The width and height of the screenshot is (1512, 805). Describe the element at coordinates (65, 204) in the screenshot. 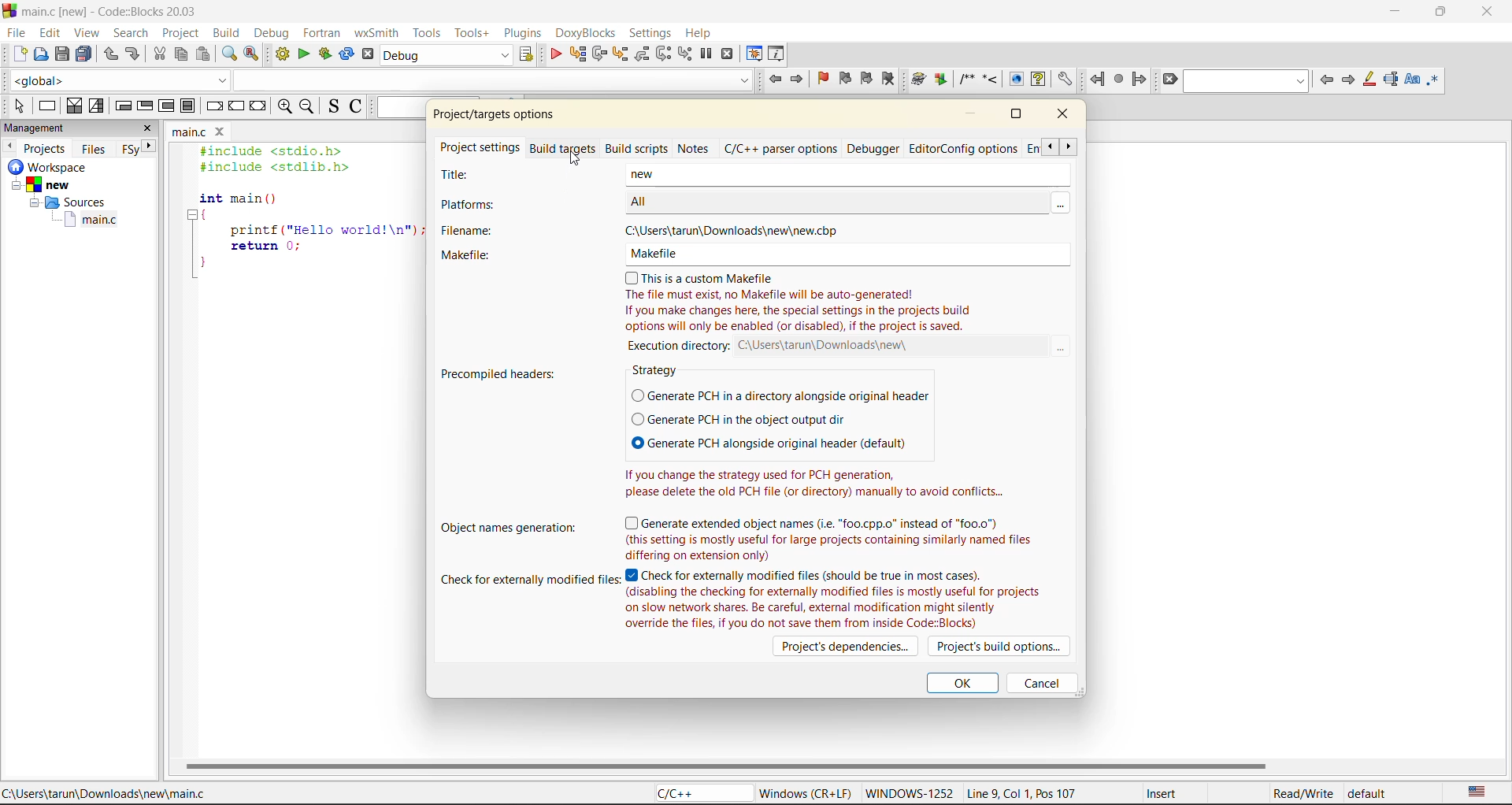

I see `Sources` at that location.